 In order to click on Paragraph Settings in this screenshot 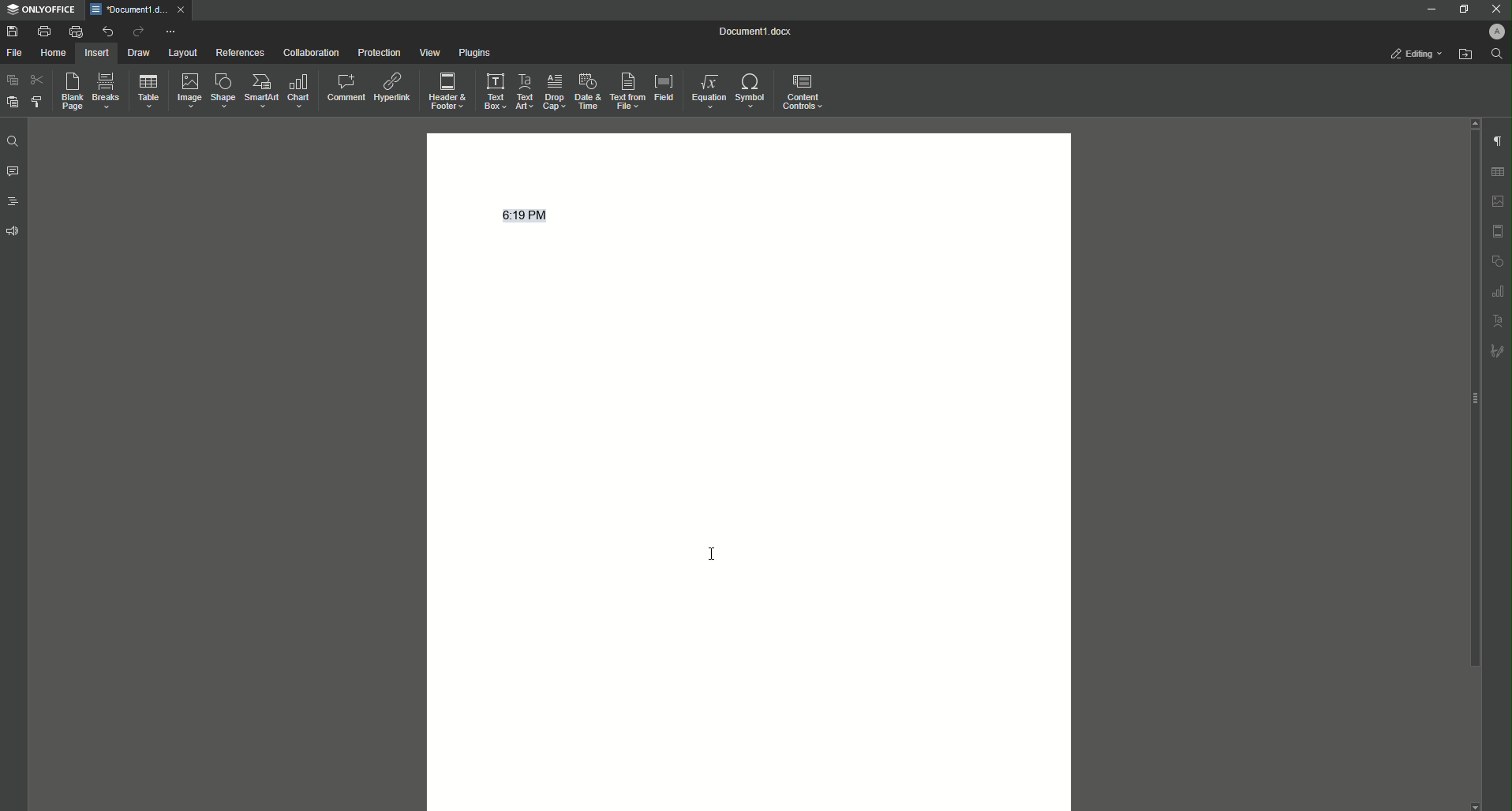, I will do `click(1496, 140)`.